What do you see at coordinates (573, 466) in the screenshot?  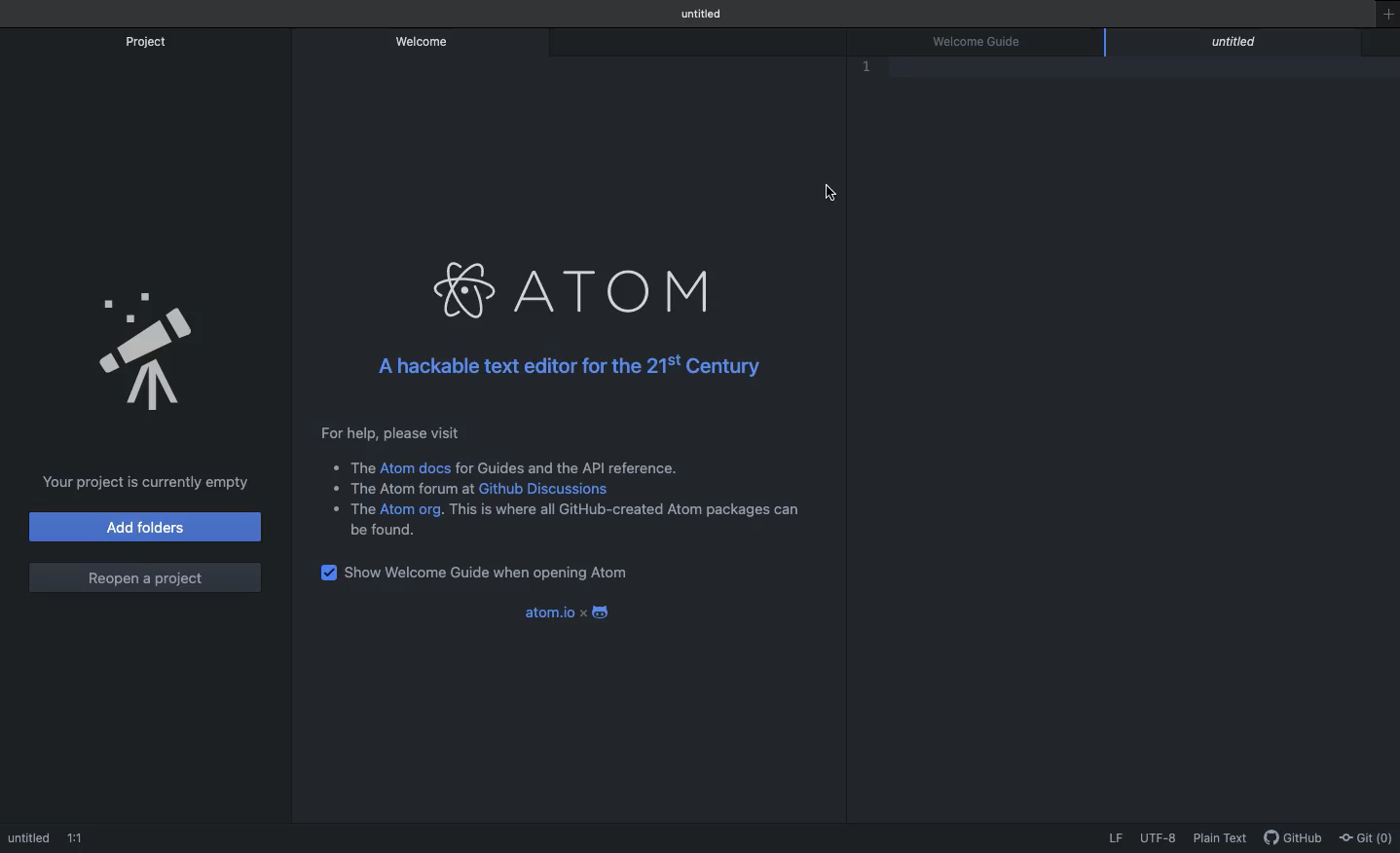 I see `for Guides and the API reference` at bounding box center [573, 466].